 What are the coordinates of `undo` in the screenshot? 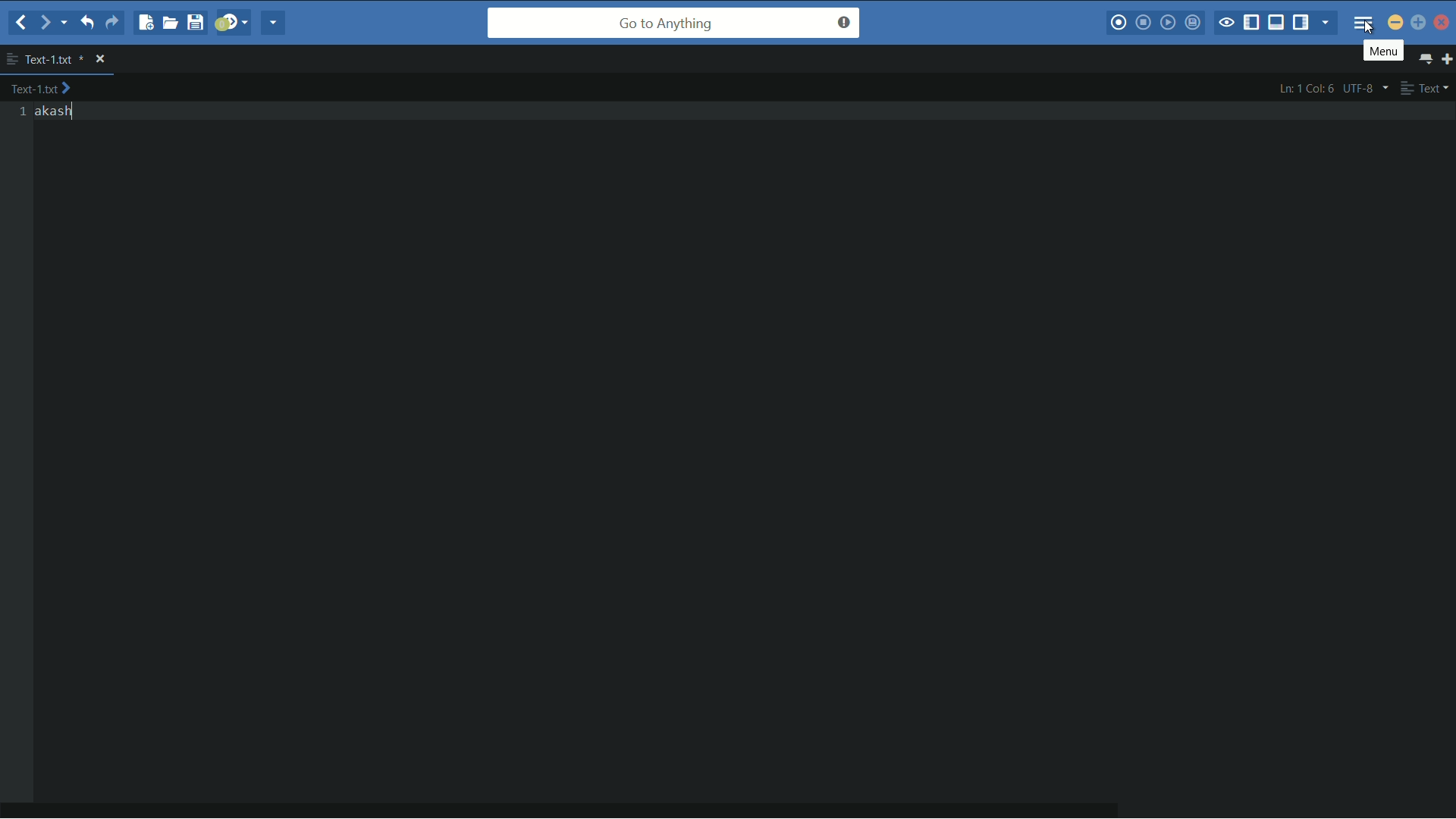 It's located at (85, 23).